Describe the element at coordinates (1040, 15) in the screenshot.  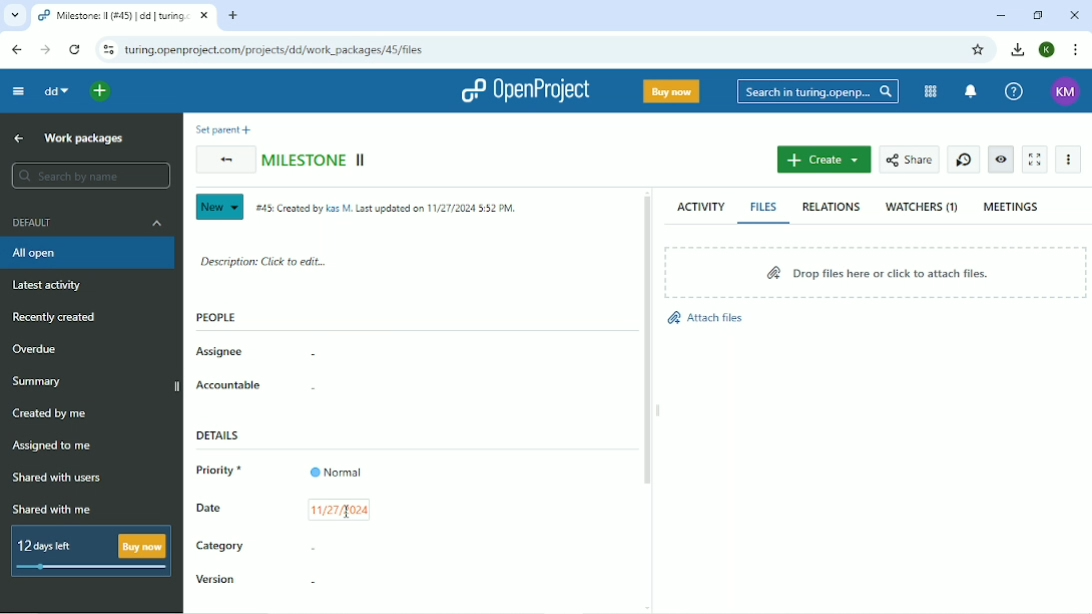
I see `Restore down` at that location.